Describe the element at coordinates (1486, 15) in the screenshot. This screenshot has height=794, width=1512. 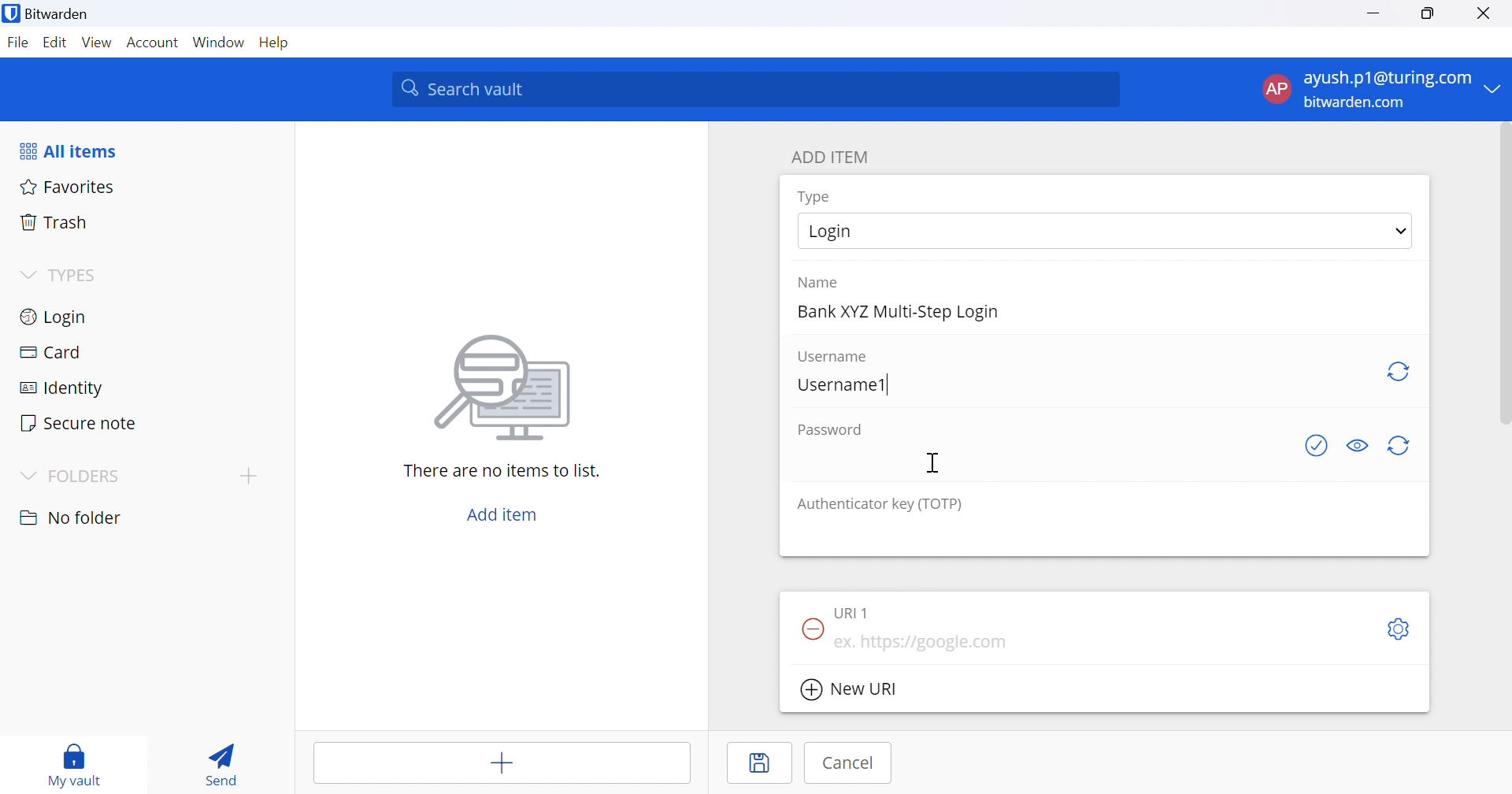
I see `Close` at that location.